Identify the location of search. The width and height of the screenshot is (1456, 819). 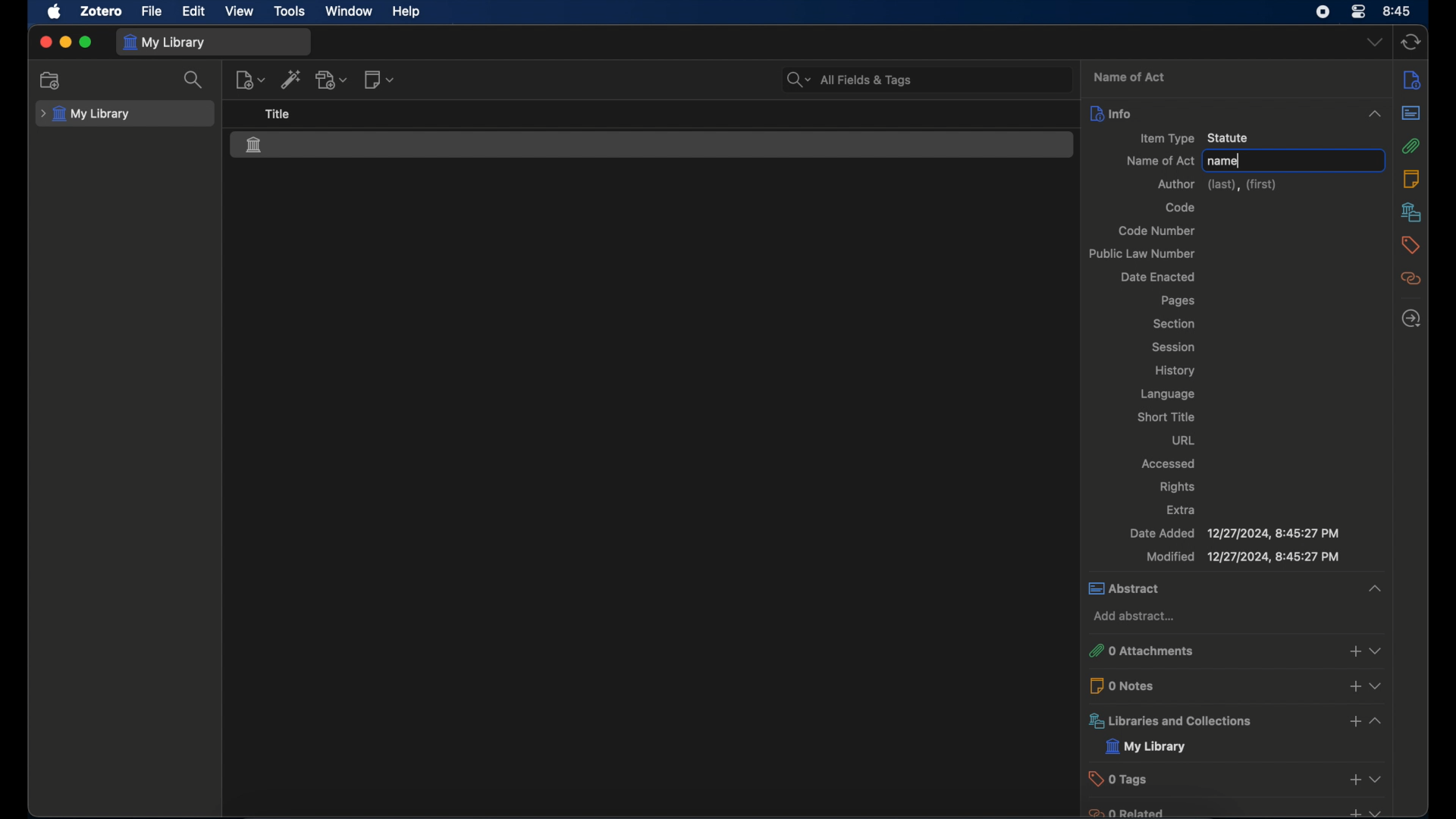
(196, 81).